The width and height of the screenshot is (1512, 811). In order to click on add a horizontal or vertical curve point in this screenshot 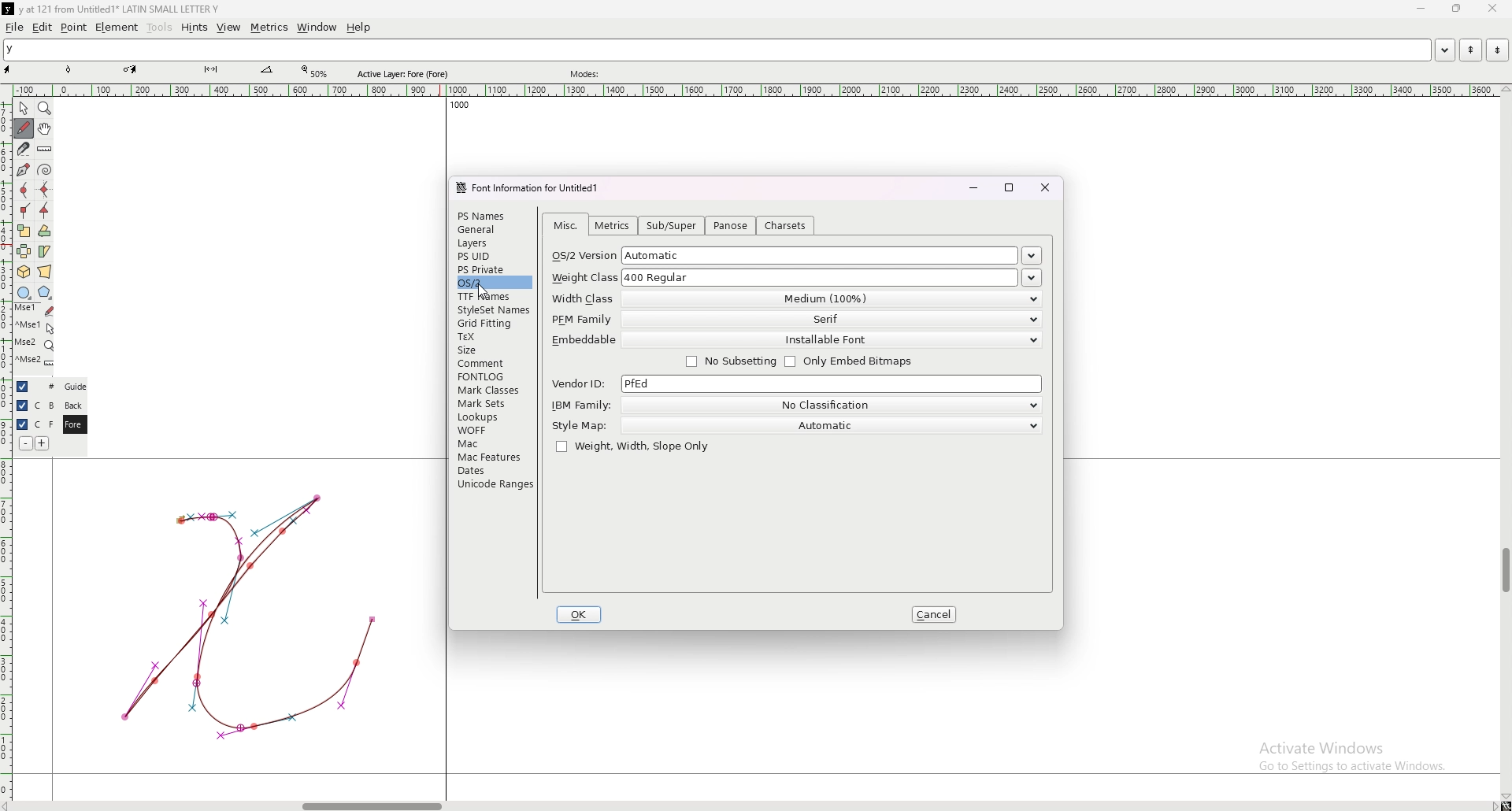, I will do `click(45, 190)`.